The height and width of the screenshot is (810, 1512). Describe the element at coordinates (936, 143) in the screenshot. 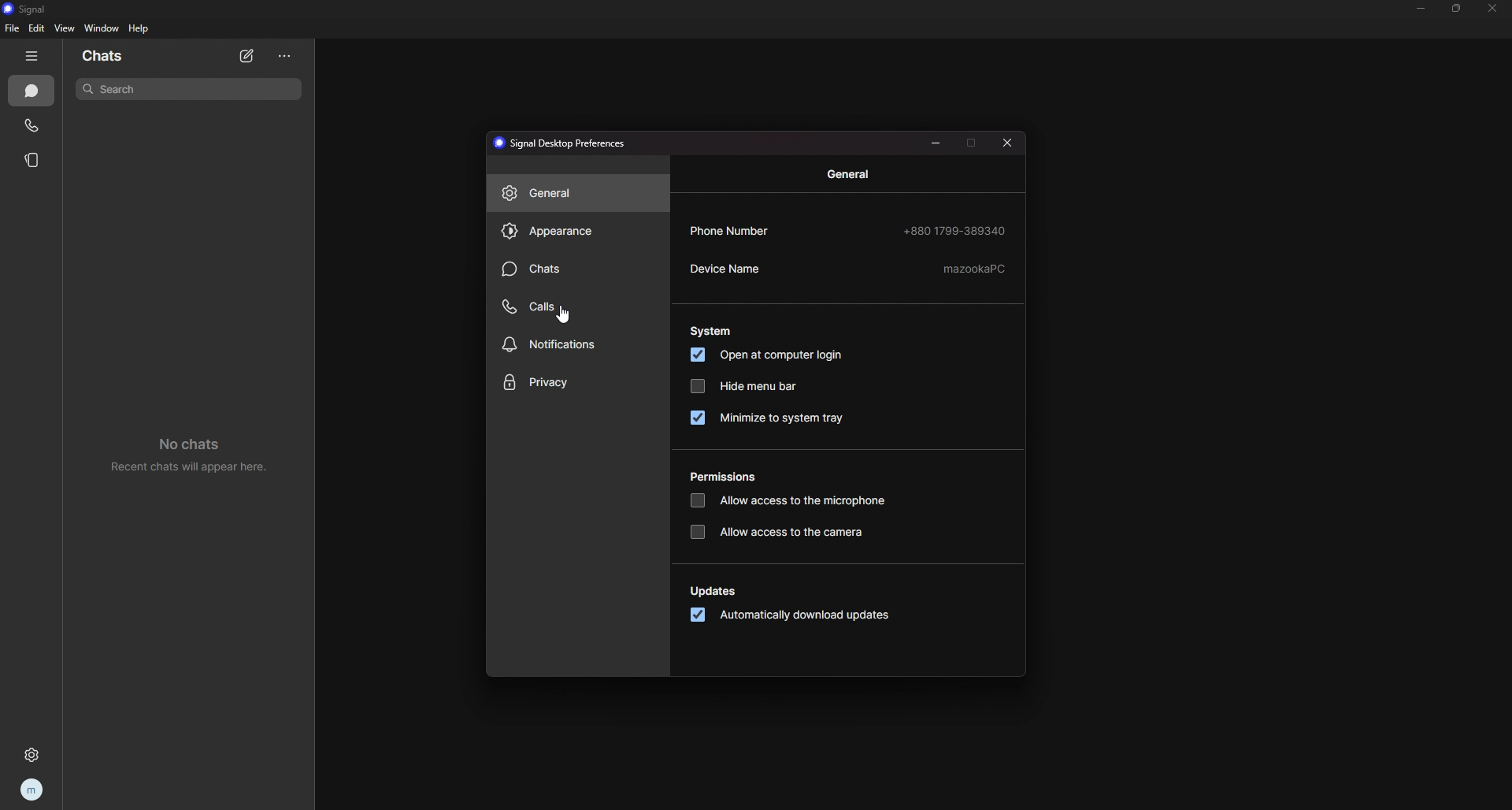

I see `resize` at that location.